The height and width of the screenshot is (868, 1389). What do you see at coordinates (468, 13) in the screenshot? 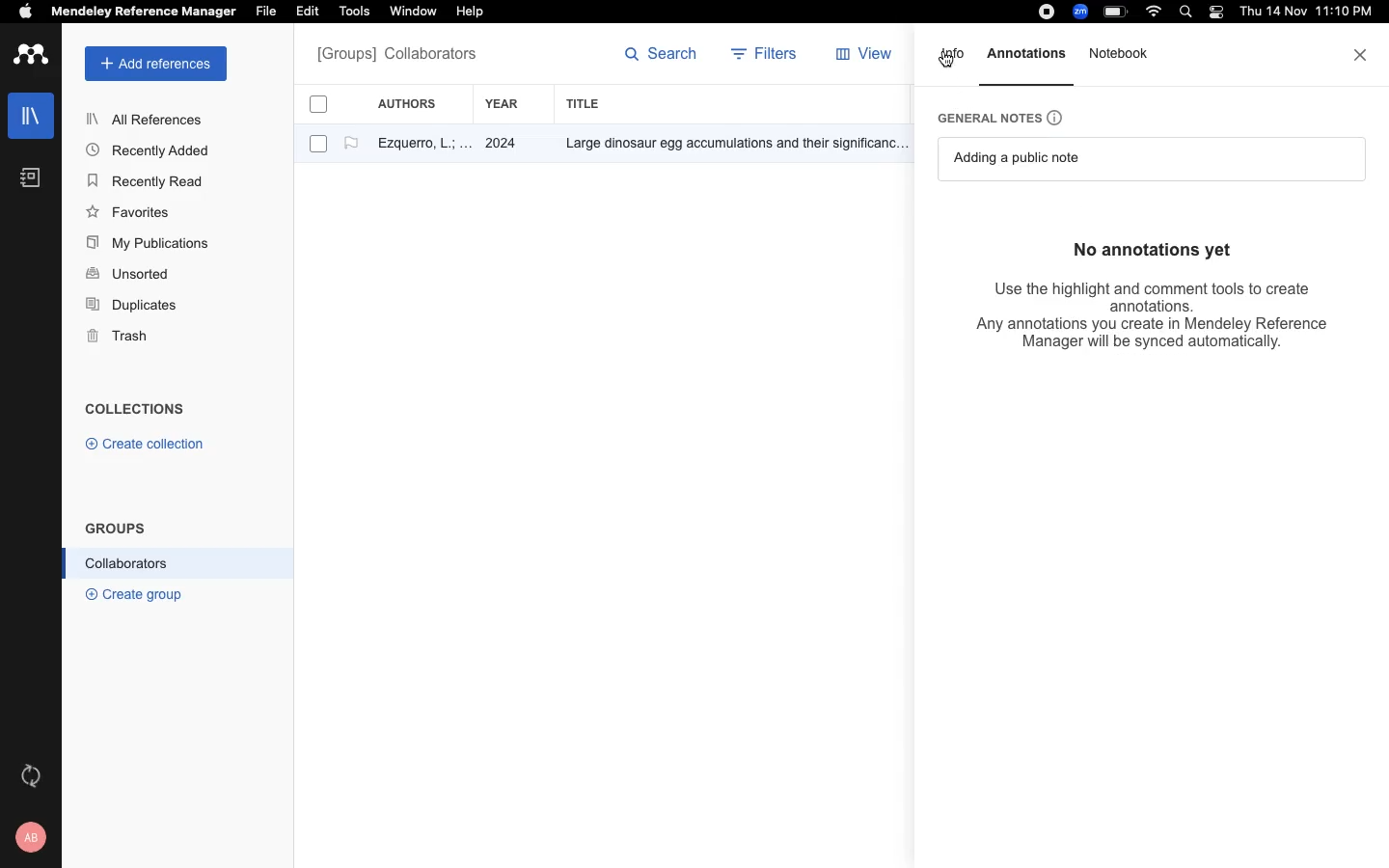
I see `Help` at bounding box center [468, 13].